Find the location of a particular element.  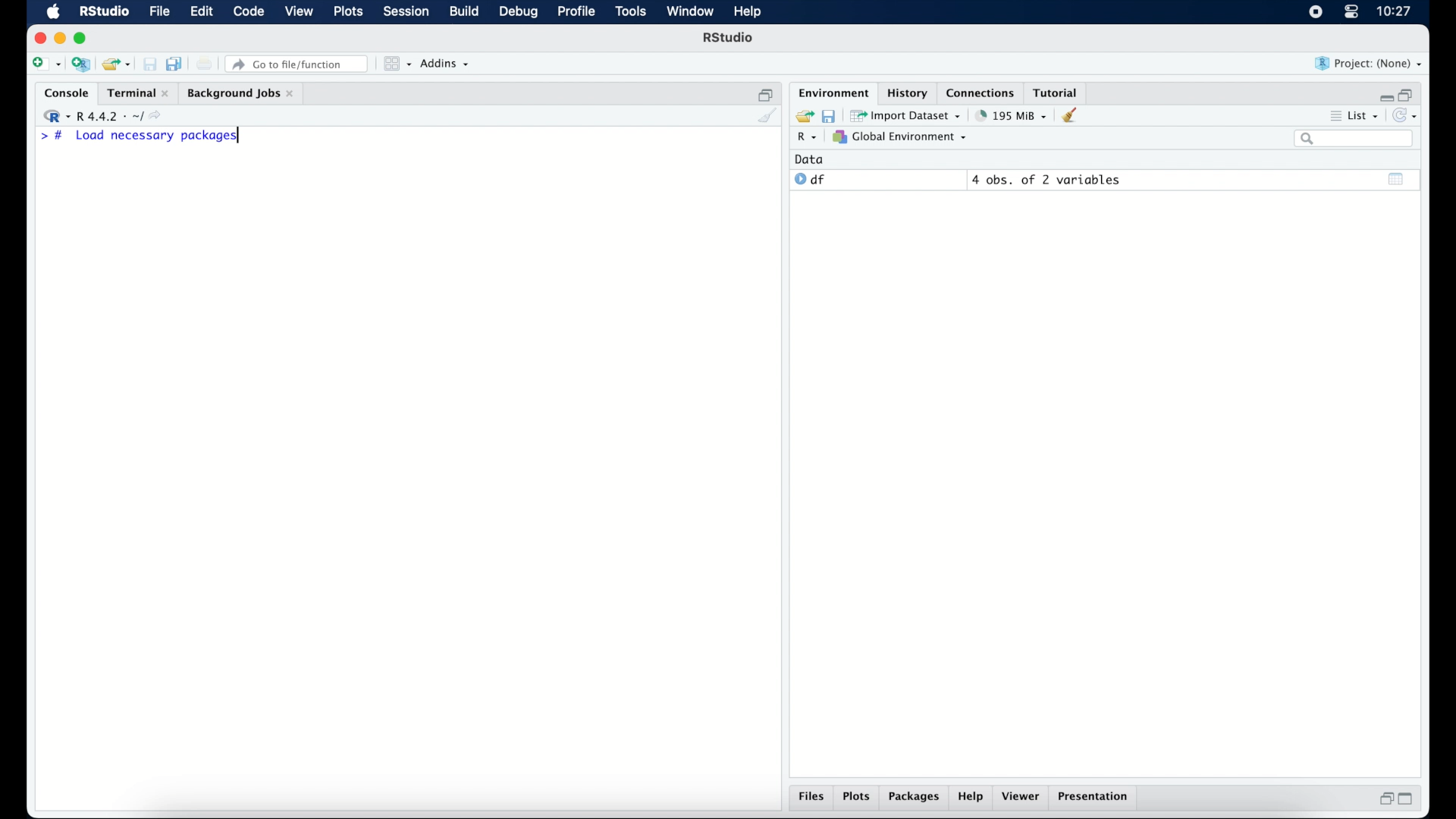

R is located at coordinates (805, 139).